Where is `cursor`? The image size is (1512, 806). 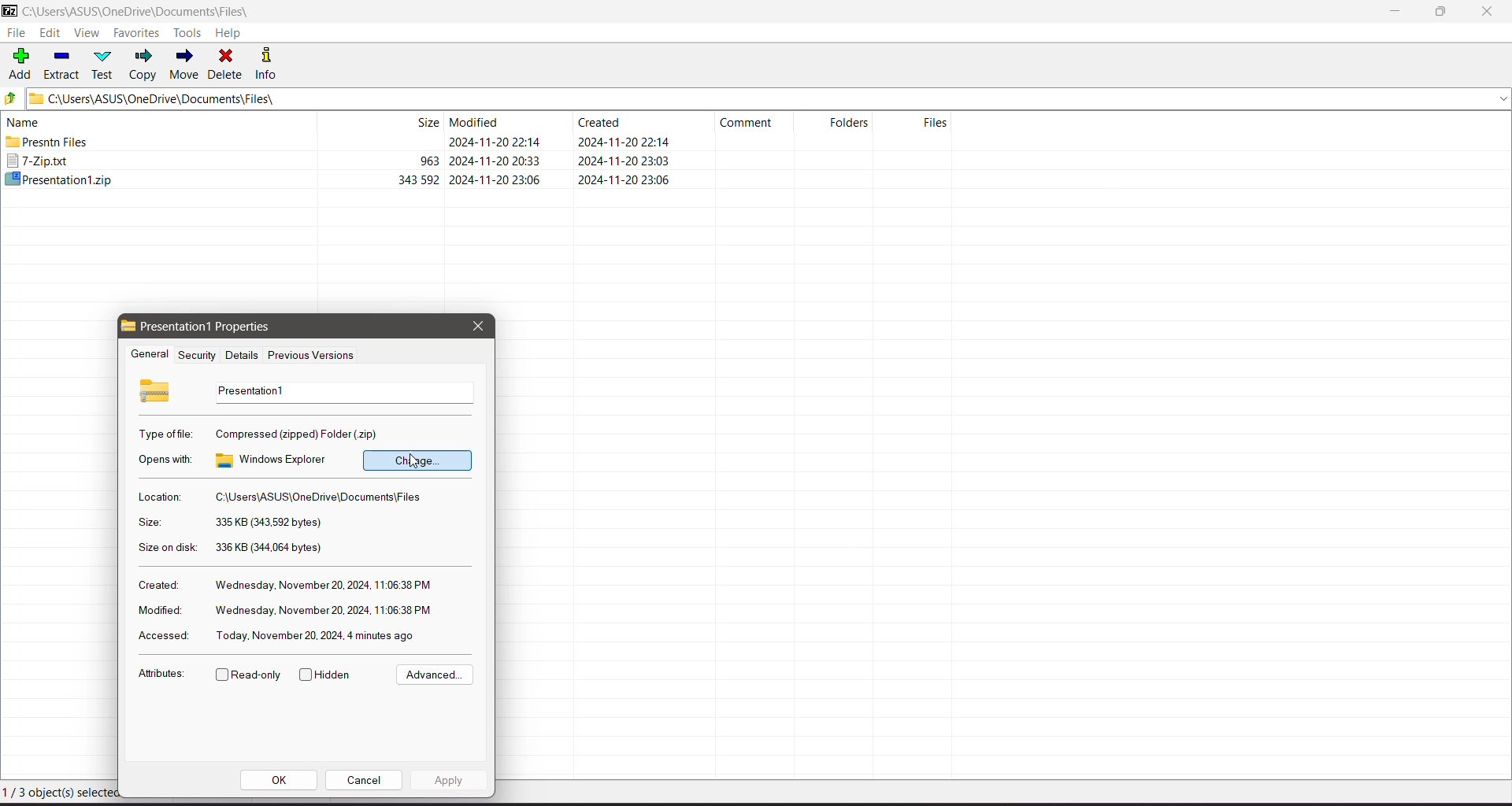
cursor is located at coordinates (413, 461).